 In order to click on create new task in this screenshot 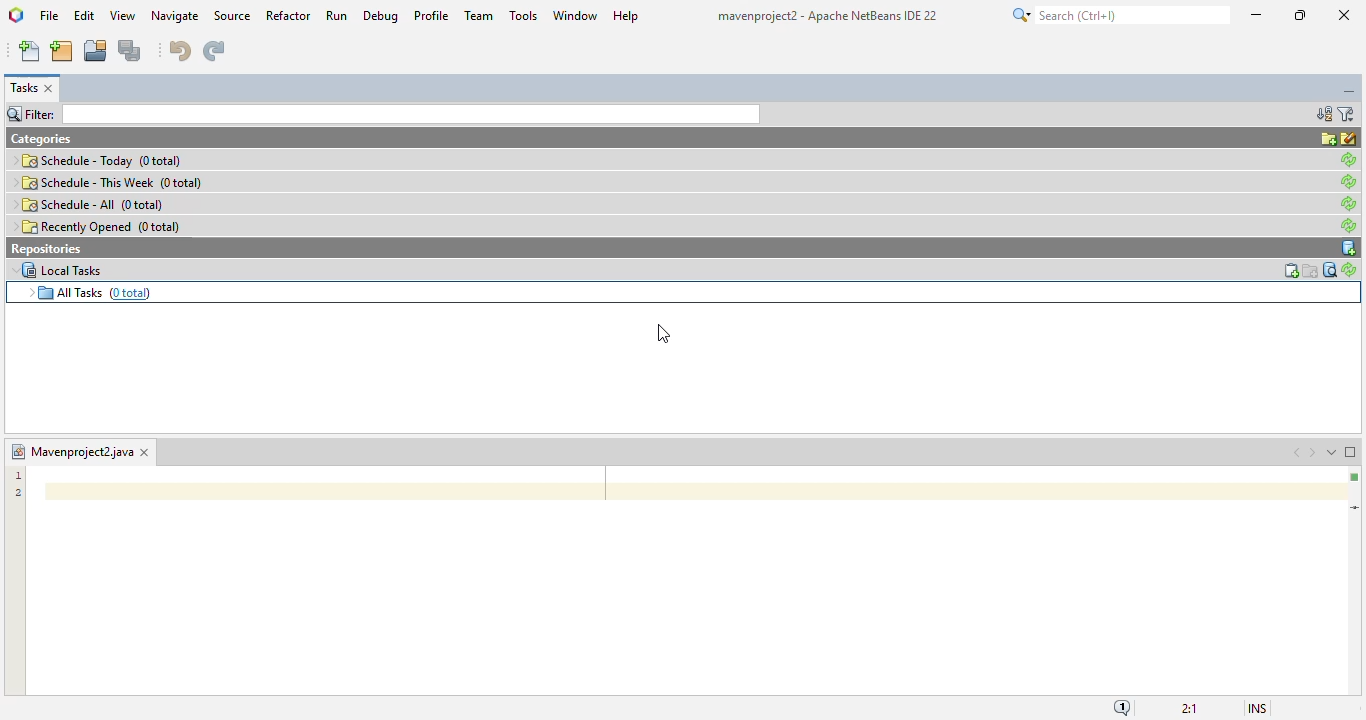, I will do `click(1288, 270)`.